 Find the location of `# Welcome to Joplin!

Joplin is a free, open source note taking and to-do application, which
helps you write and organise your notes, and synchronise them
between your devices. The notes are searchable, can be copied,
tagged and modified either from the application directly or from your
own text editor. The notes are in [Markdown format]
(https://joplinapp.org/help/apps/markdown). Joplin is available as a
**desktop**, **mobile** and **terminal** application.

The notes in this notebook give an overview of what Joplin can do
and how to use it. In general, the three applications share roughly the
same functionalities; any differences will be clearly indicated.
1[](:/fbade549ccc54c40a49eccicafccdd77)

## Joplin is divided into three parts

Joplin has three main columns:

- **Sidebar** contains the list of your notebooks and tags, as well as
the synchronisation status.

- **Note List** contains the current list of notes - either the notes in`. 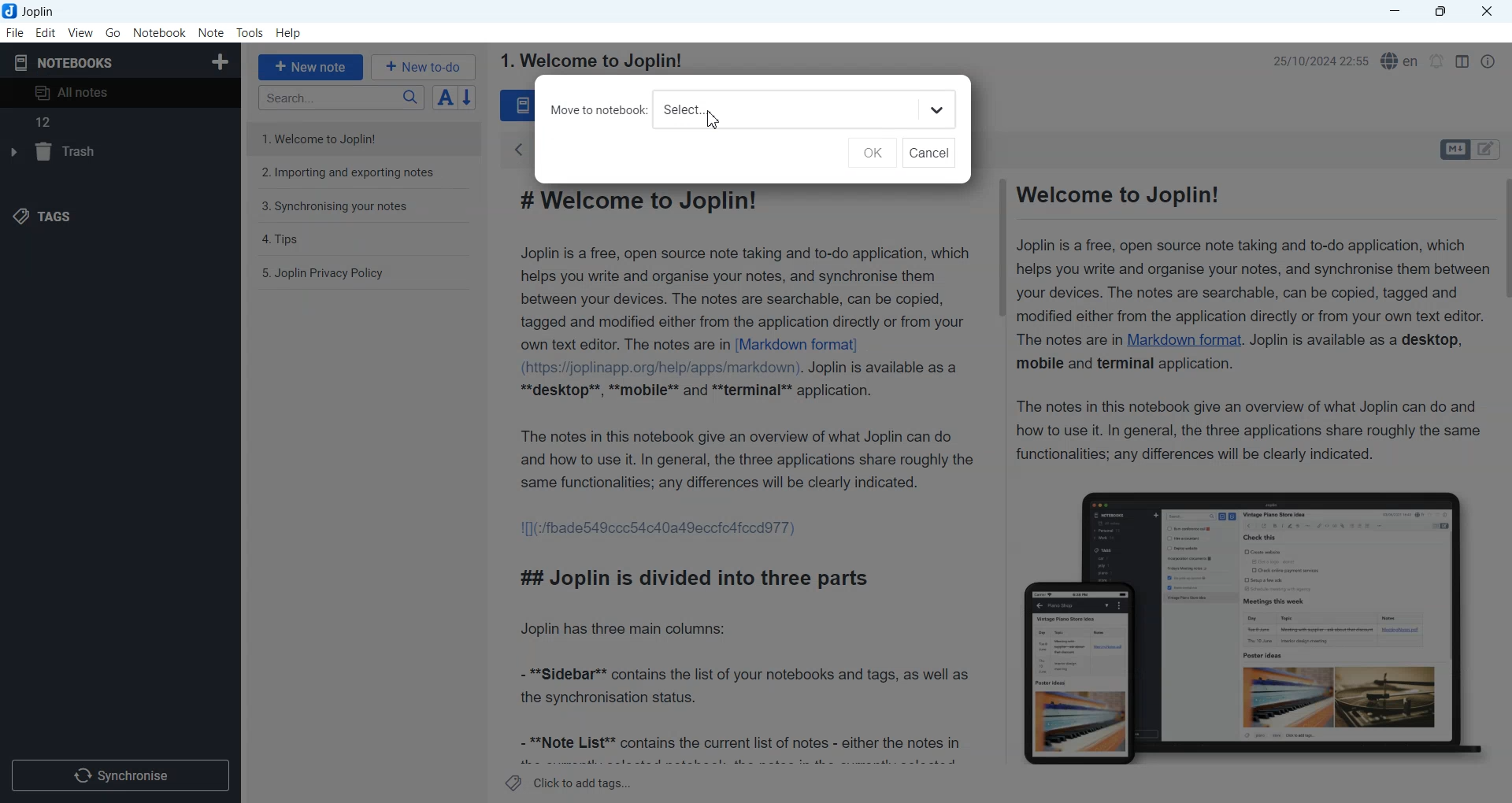

# Welcome to Joplin!

Joplin is a free, open source note taking and to-do application, which
helps you write and organise your notes, and synchronise them
between your devices. The notes are searchable, can be copied,
tagged and modified either from the application directly or from your
own text editor. The notes are in [Markdown format]
(https://joplinapp.org/help/apps/markdown). Joplin is available as a
**desktop**, **mobile** and **terminal** application.

The notes in this notebook give an overview of what Joplin can do
and how to use it. In general, the three applications share roughly the
same functionalities; any differences will be clearly indicated.
1[](:/fbade549ccc54c40a49eccicafccdd77)

## Joplin is divided into three parts

Joplin has three main columns:

- **Sidebar** contains the list of your notebooks and tags, as well as
the synchronisation status.

- **Note List** contains the current list of notes - either the notes in is located at coordinates (746, 474).